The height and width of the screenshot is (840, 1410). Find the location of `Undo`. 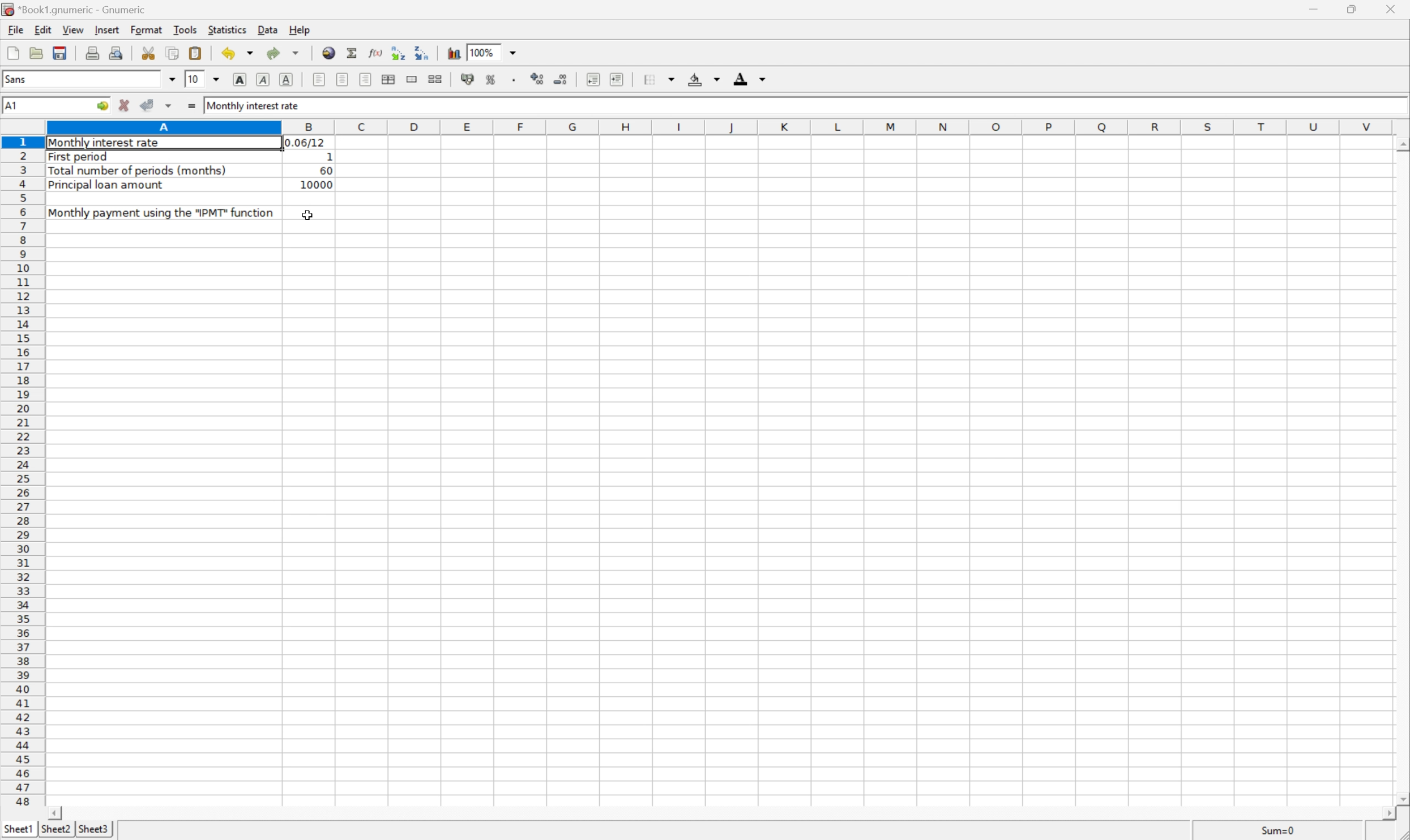

Undo is located at coordinates (239, 52).